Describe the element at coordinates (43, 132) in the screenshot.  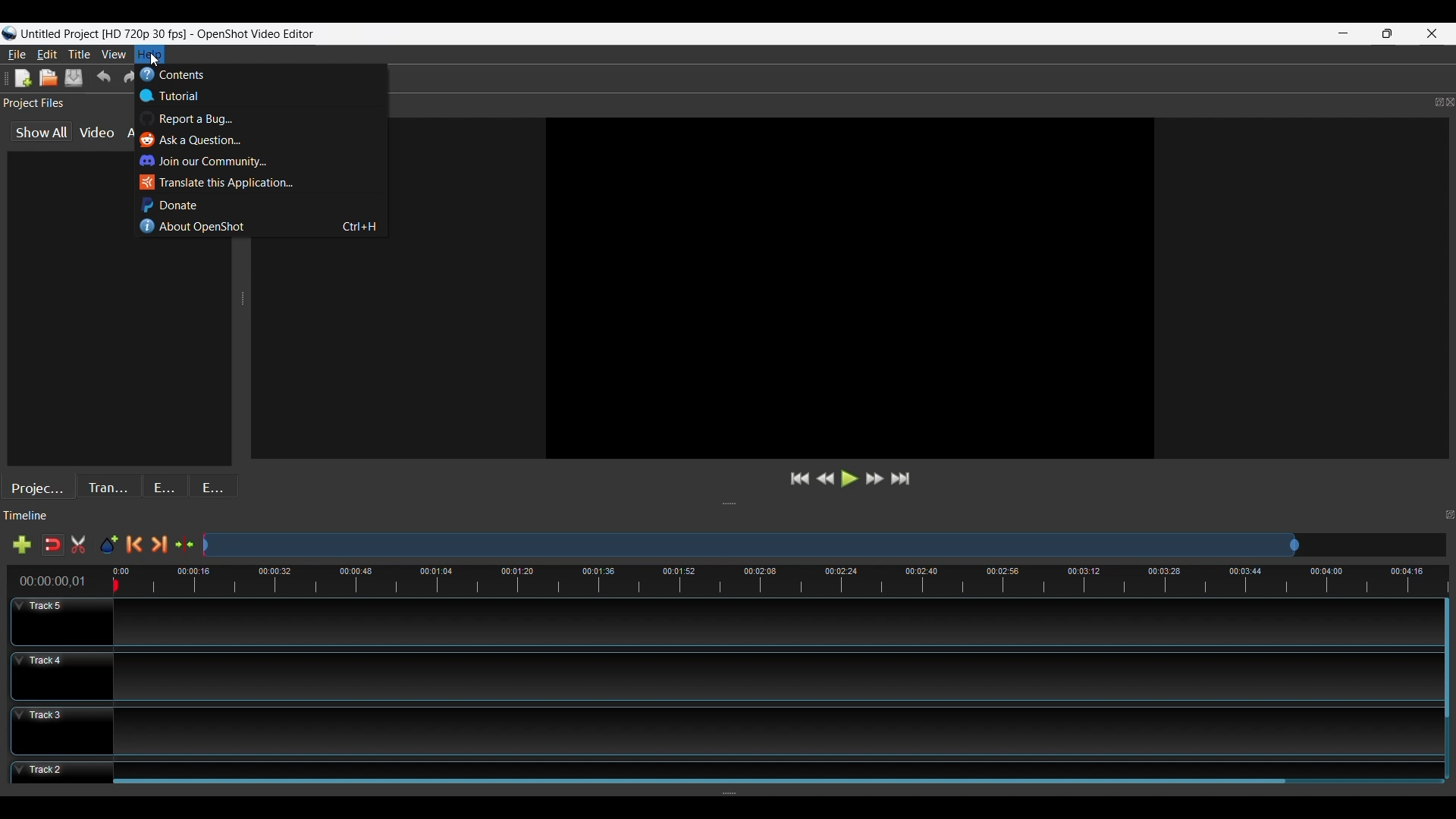
I see `Showall` at that location.